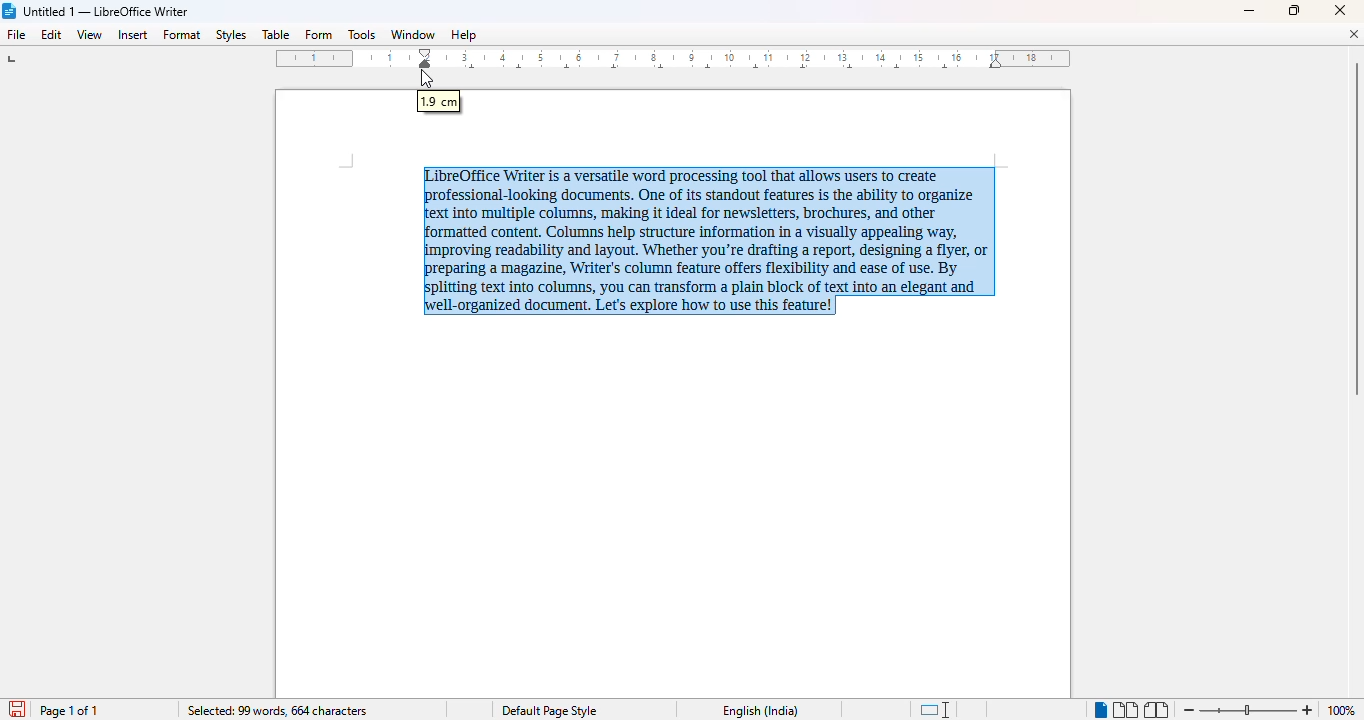 The width and height of the screenshot is (1364, 720). I want to click on edit, so click(52, 34).